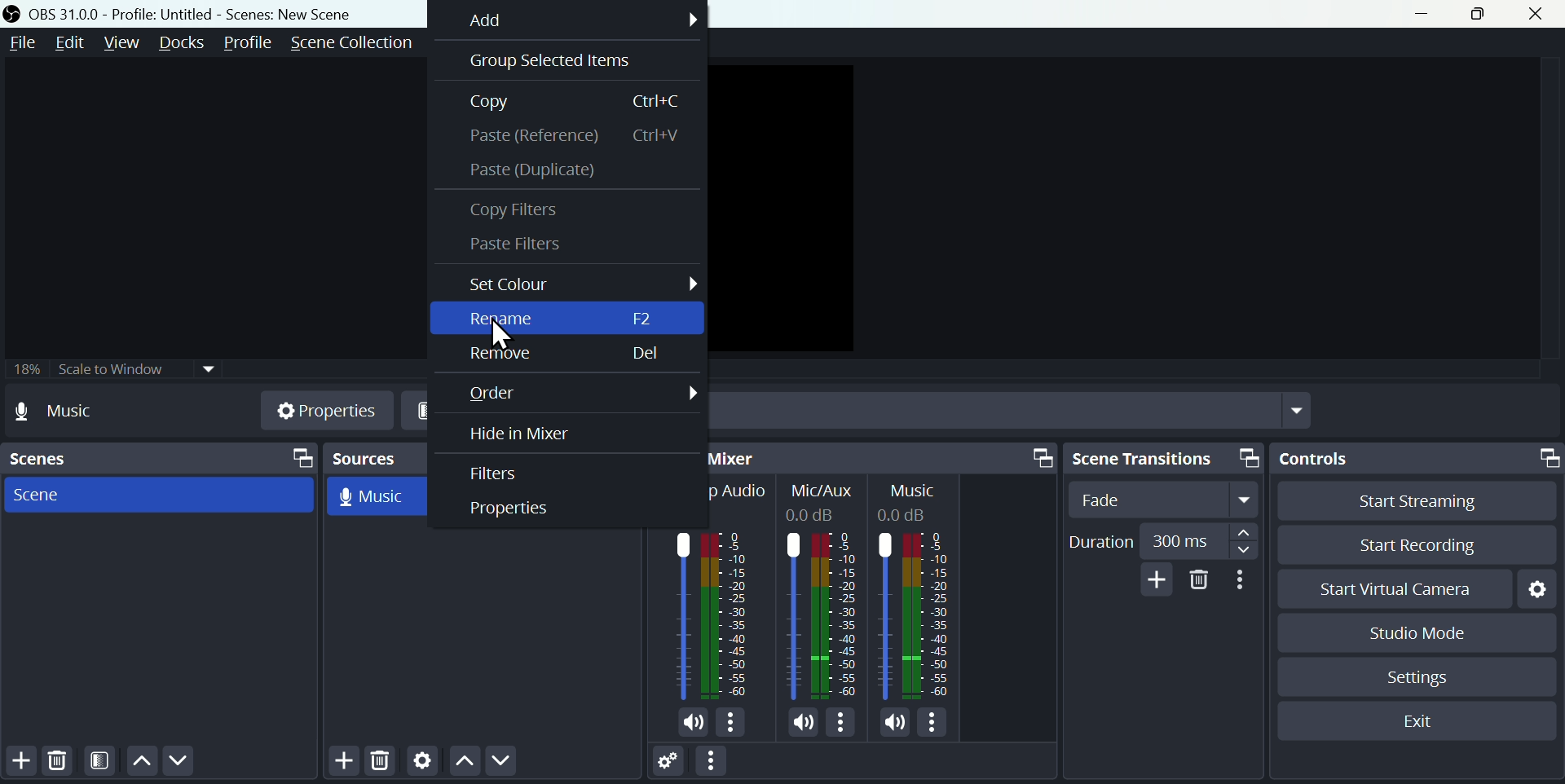 The image size is (1565, 784). Describe the element at coordinates (1167, 459) in the screenshot. I see `Scene transitions` at that location.